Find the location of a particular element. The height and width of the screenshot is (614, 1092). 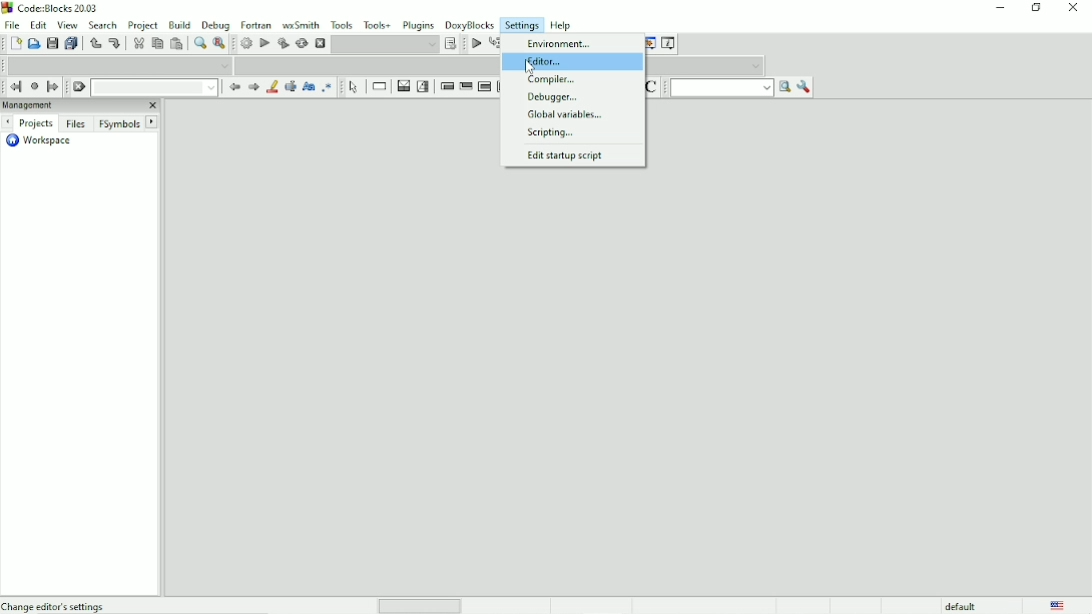

Tools is located at coordinates (341, 24).